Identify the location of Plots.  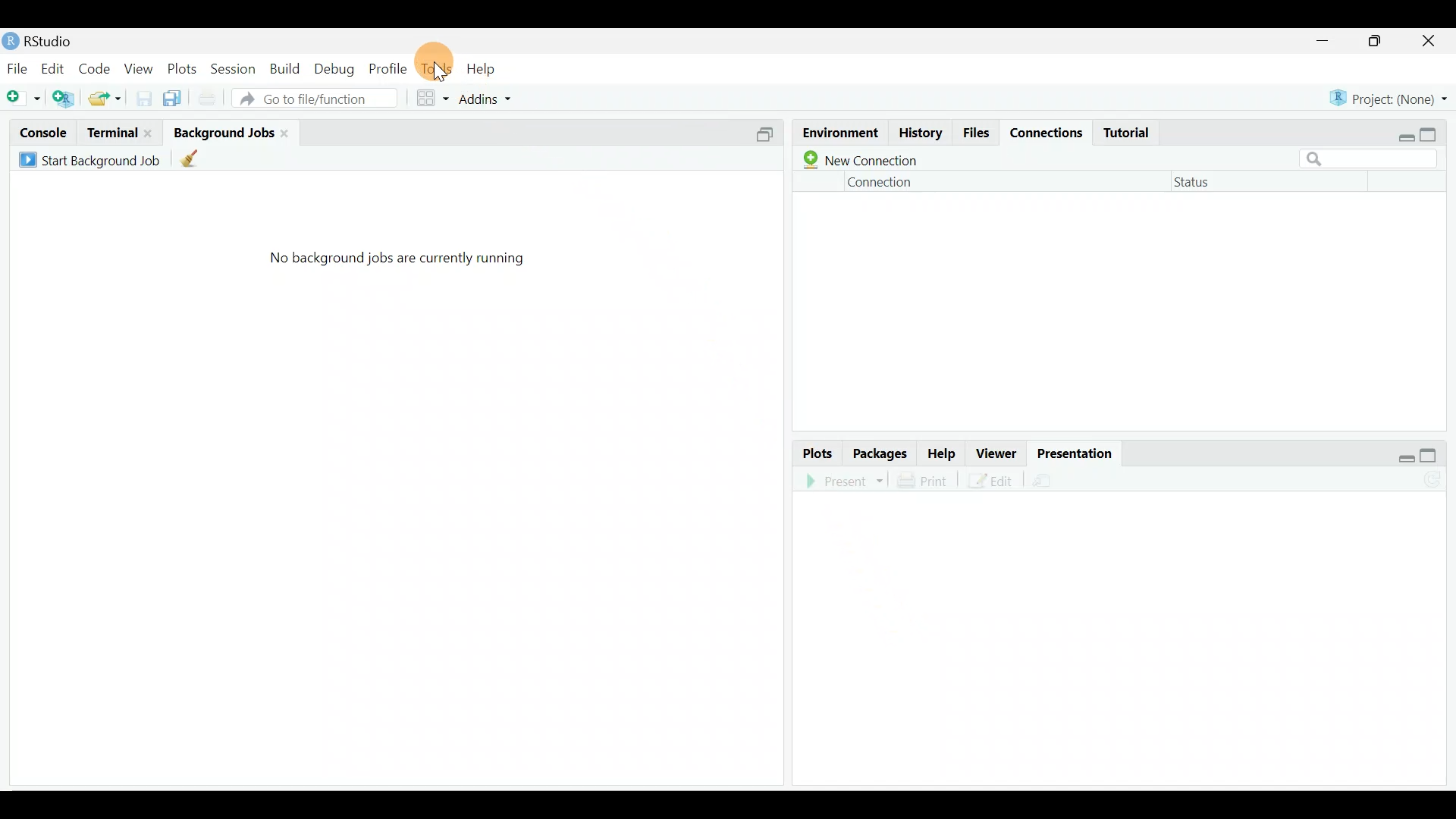
(185, 69).